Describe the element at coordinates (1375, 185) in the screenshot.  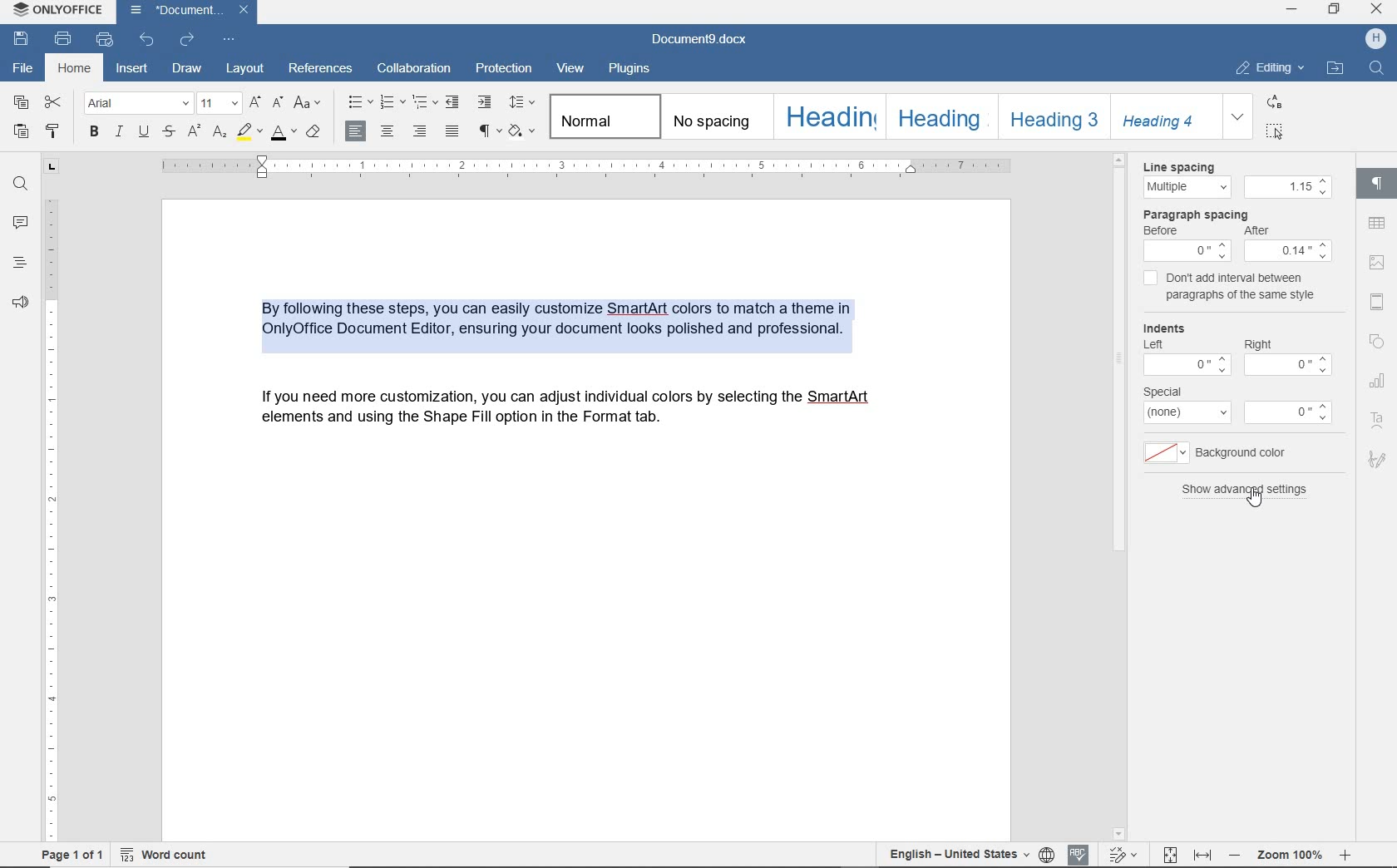
I see `PARAGRAPH SETTINGS` at that location.